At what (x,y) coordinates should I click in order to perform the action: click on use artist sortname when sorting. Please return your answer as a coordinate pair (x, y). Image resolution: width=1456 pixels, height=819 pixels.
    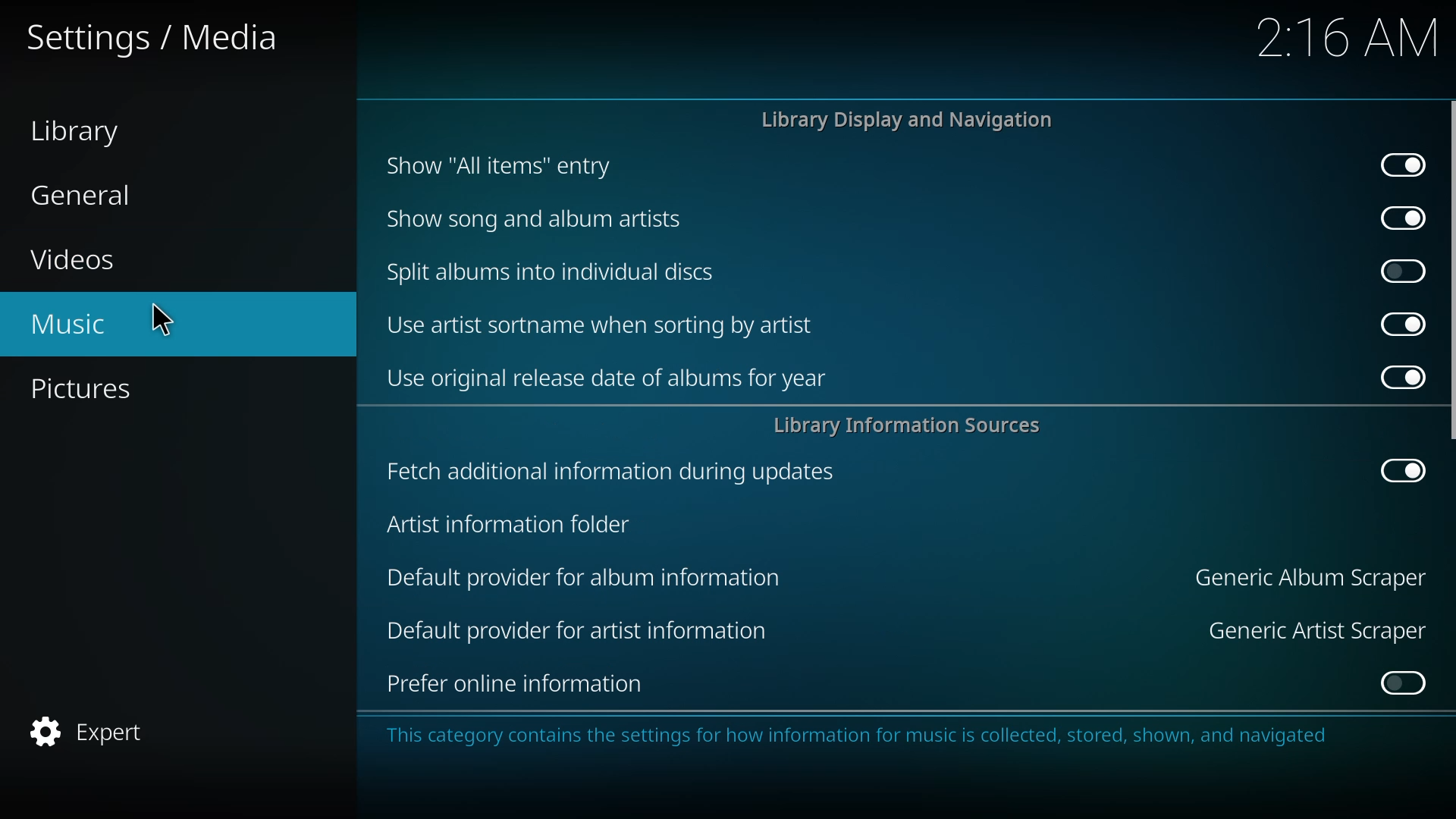
    Looking at the image, I should click on (605, 325).